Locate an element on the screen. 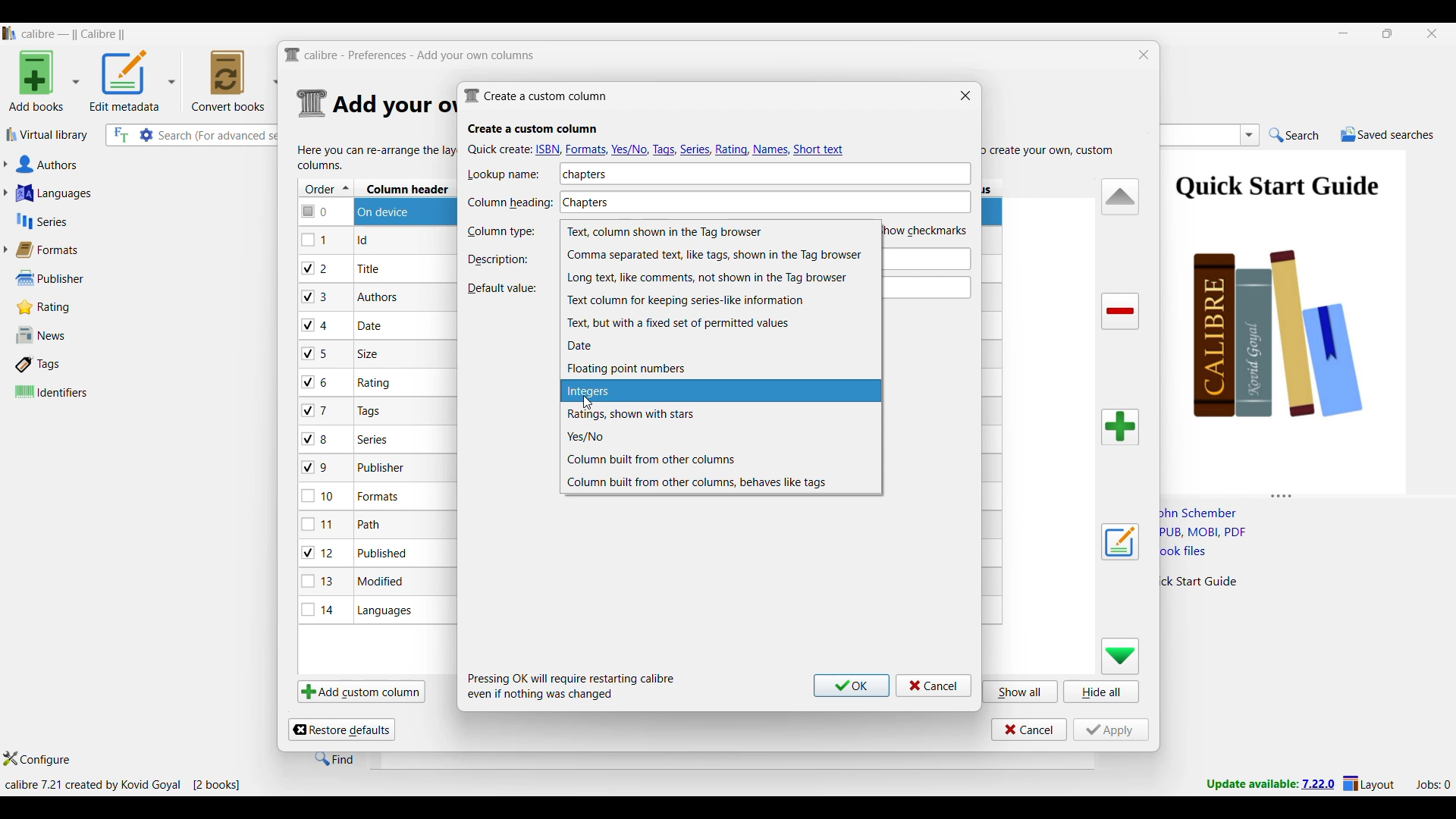 This screenshot has height=819, width=1456. checkbox - 10 is located at coordinates (321, 497).